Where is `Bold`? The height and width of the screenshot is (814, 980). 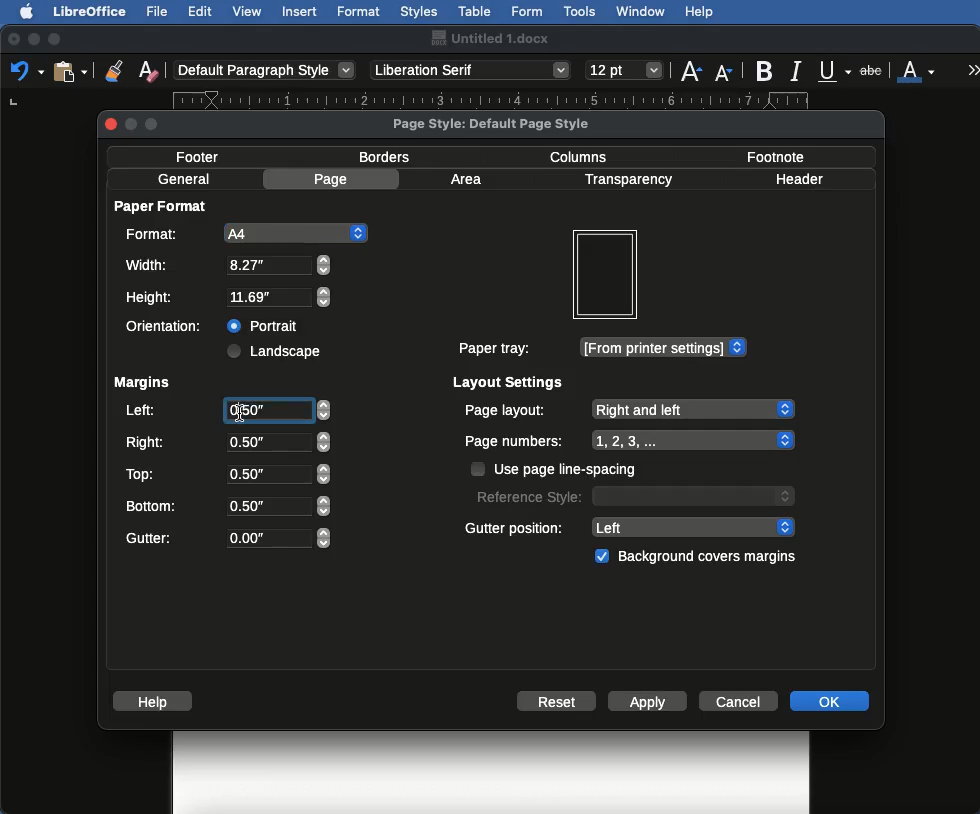 Bold is located at coordinates (766, 71).